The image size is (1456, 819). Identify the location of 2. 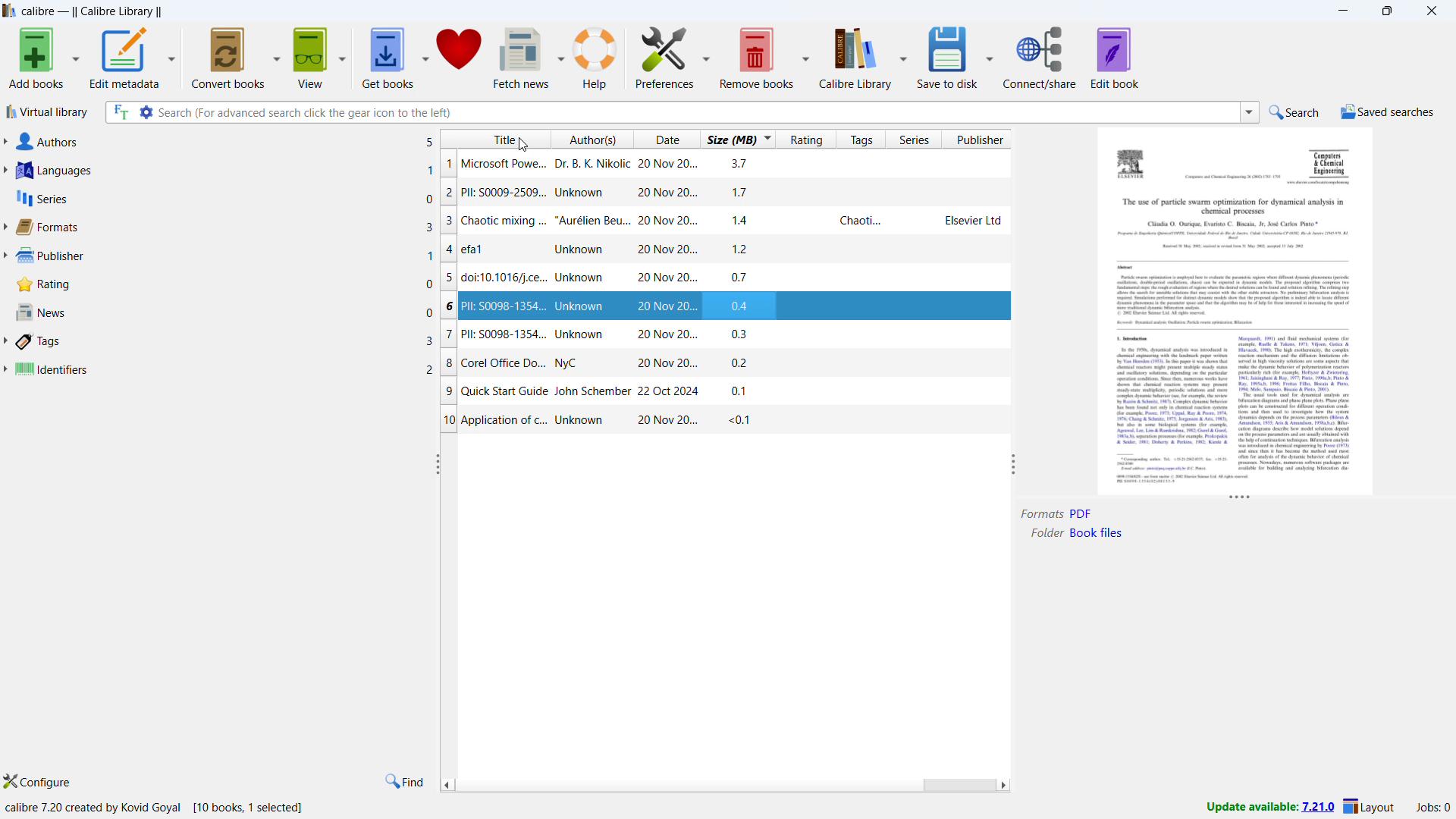
(449, 193).